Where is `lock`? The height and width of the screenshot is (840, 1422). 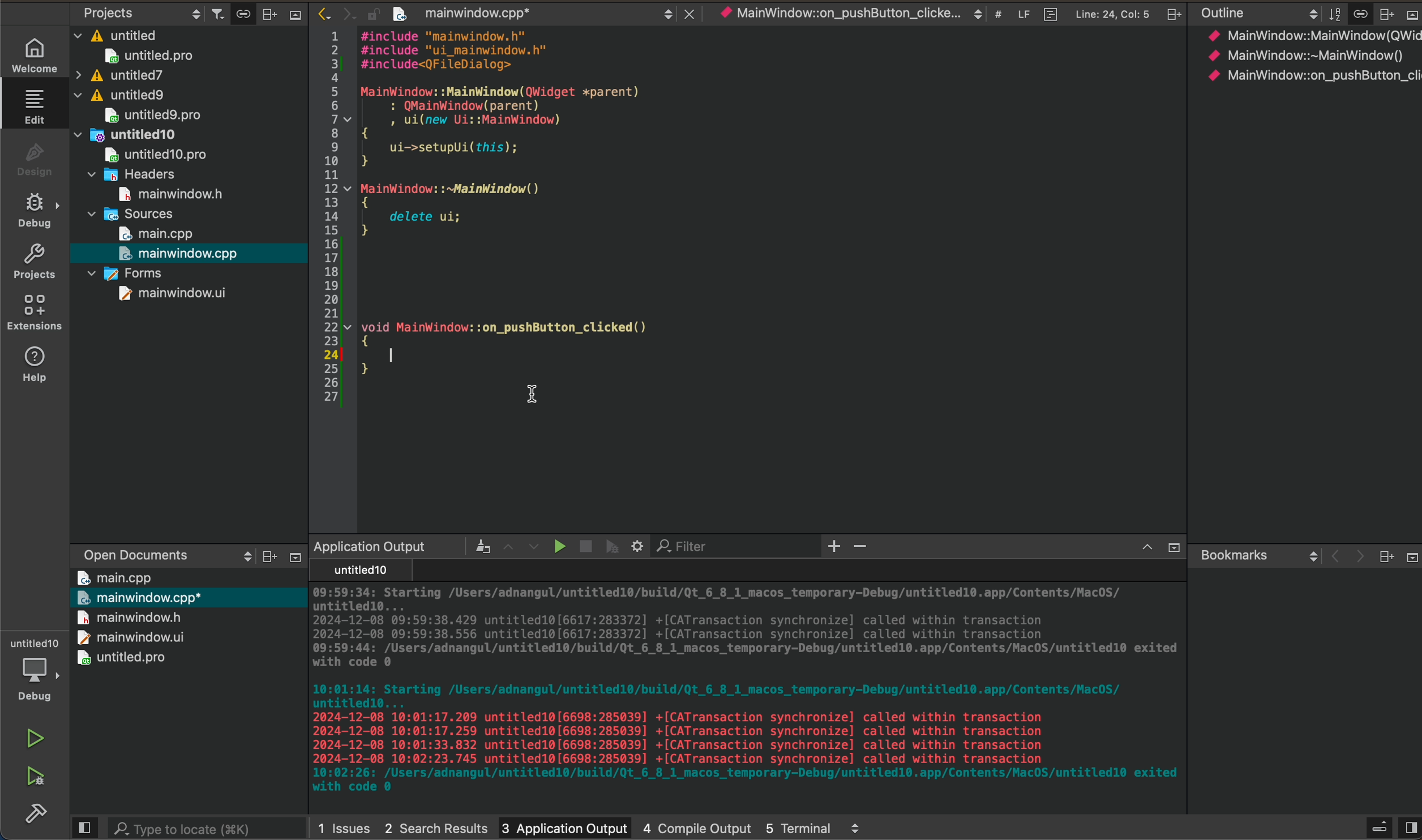 lock is located at coordinates (367, 11).